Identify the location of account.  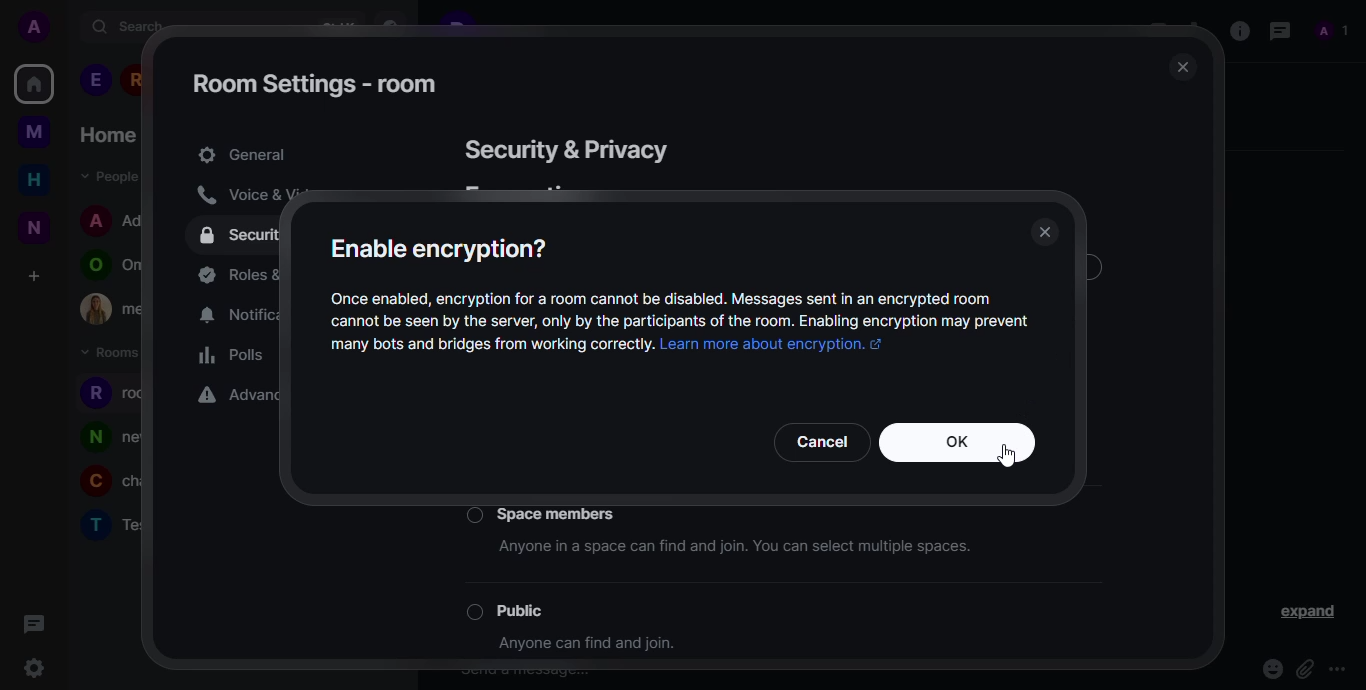
(33, 27).